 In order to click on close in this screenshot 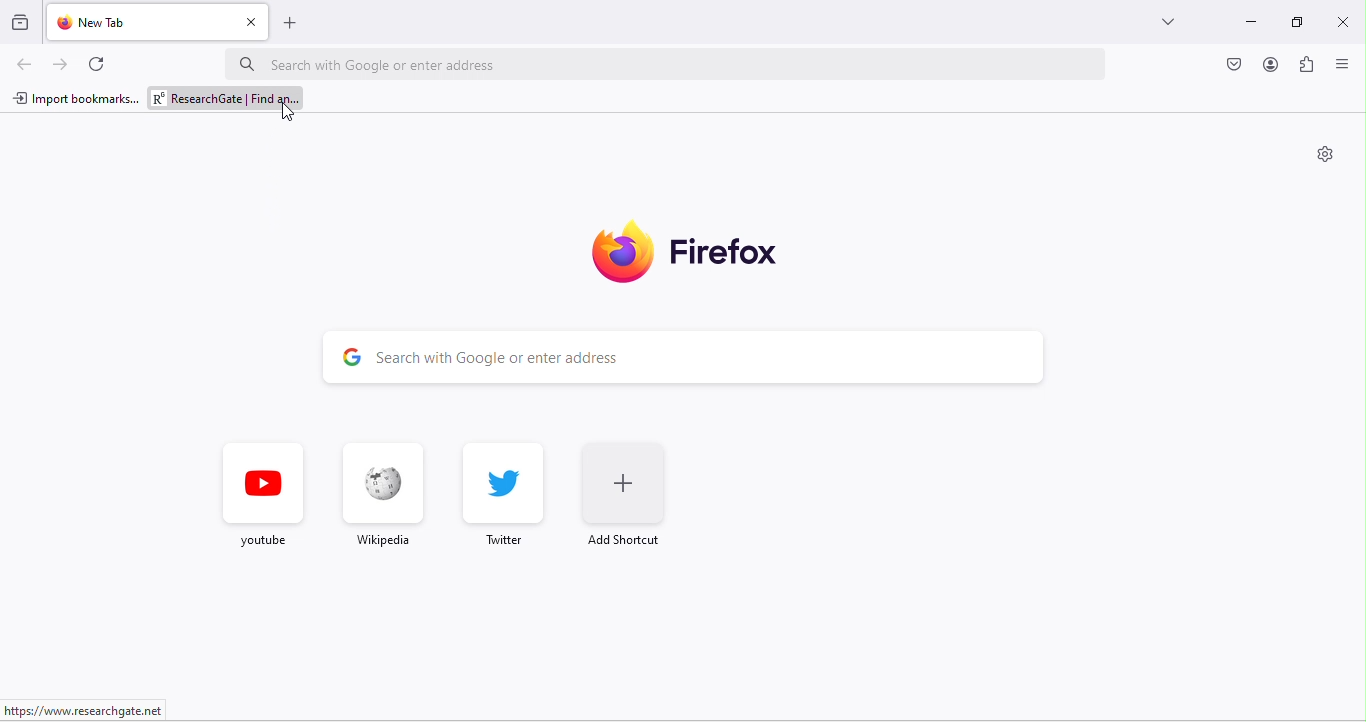, I will do `click(1340, 21)`.